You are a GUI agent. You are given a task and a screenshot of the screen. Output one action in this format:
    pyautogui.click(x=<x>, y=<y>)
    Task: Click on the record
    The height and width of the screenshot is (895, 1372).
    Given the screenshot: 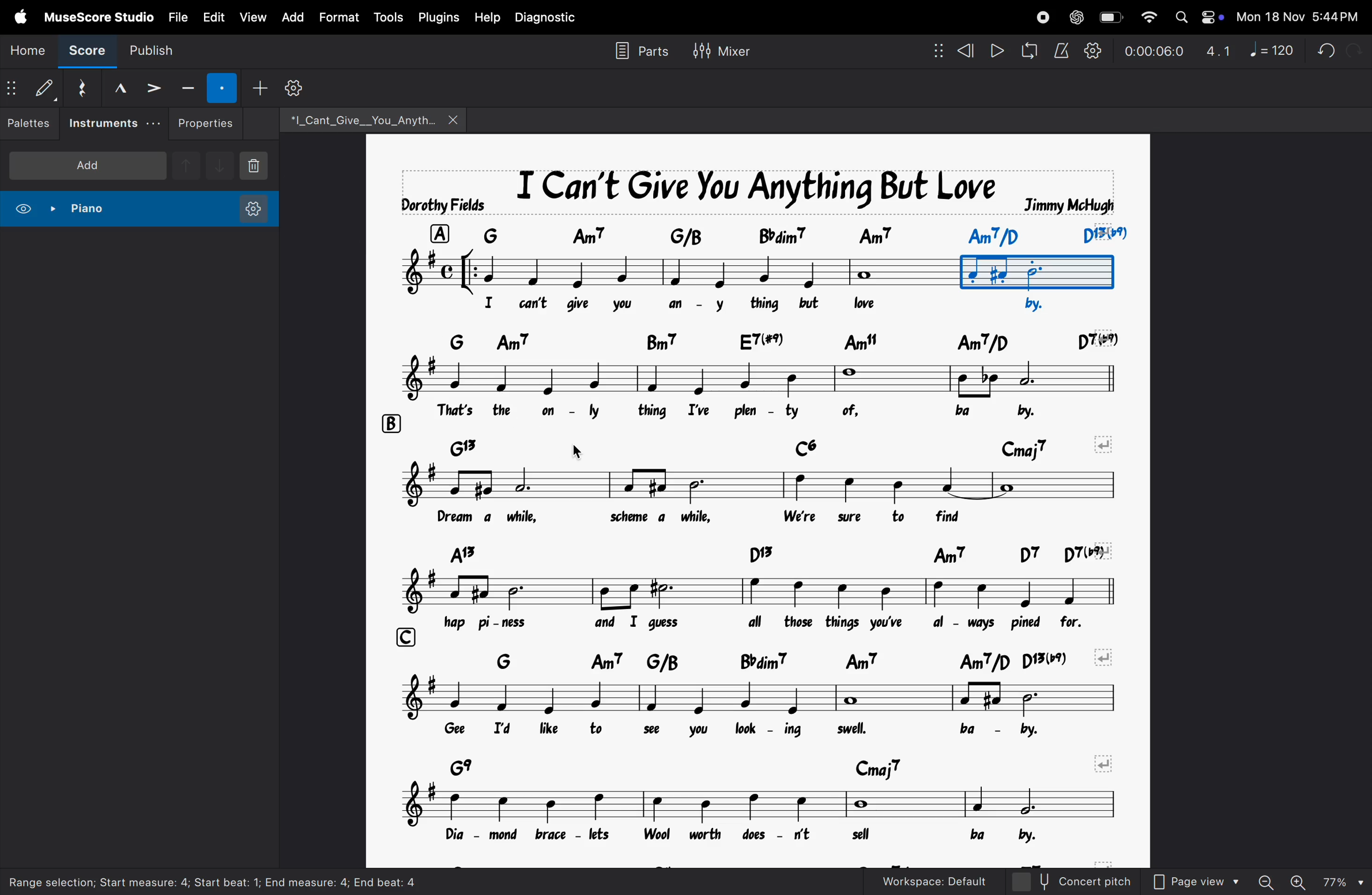 What is the action you would take?
    pyautogui.click(x=1041, y=17)
    